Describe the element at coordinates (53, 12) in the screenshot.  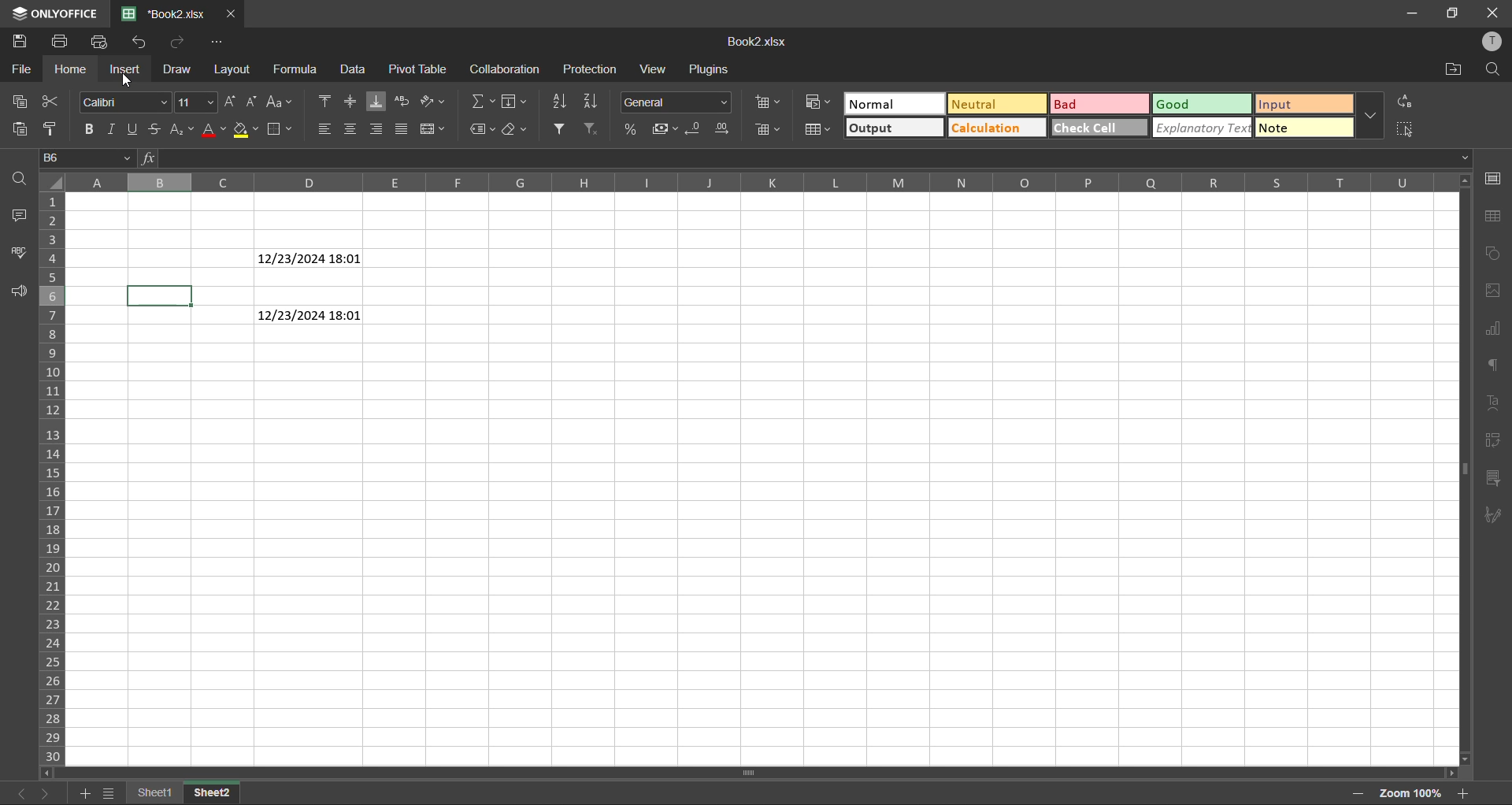
I see `only office` at that location.